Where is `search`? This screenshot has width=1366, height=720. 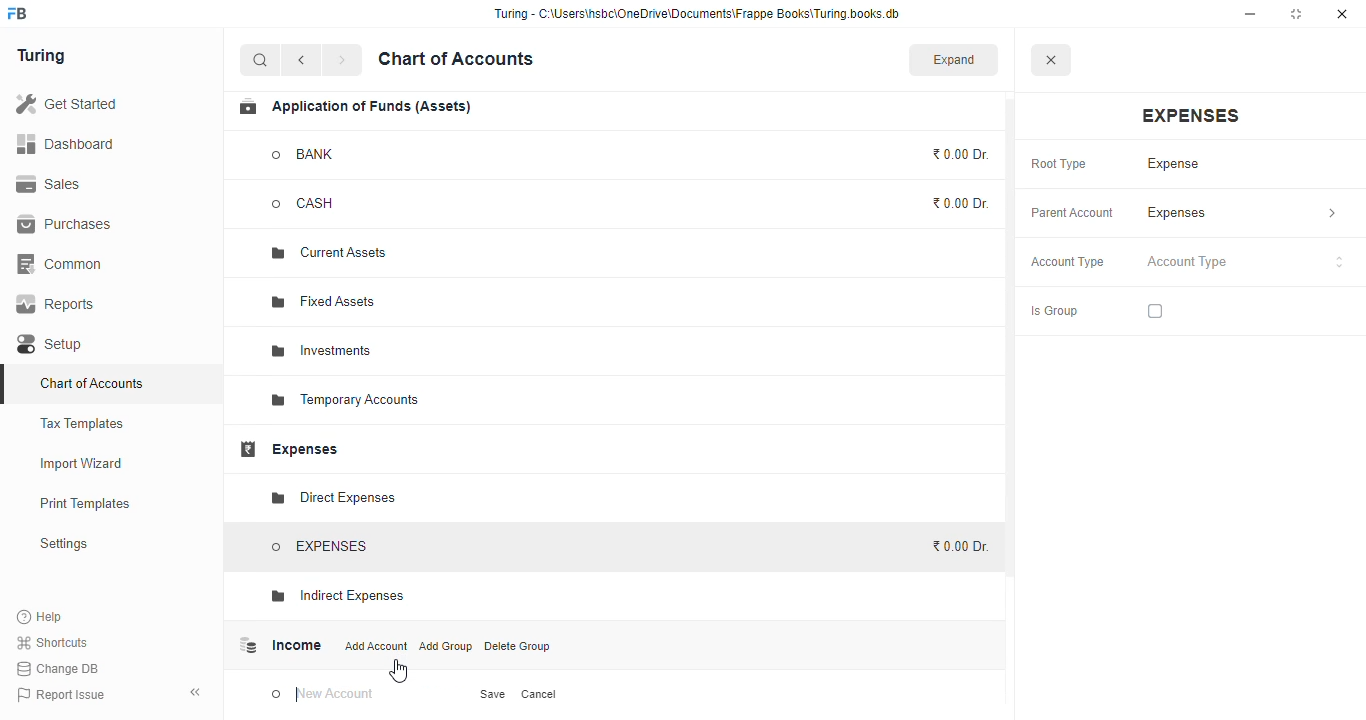
search is located at coordinates (261, 60).